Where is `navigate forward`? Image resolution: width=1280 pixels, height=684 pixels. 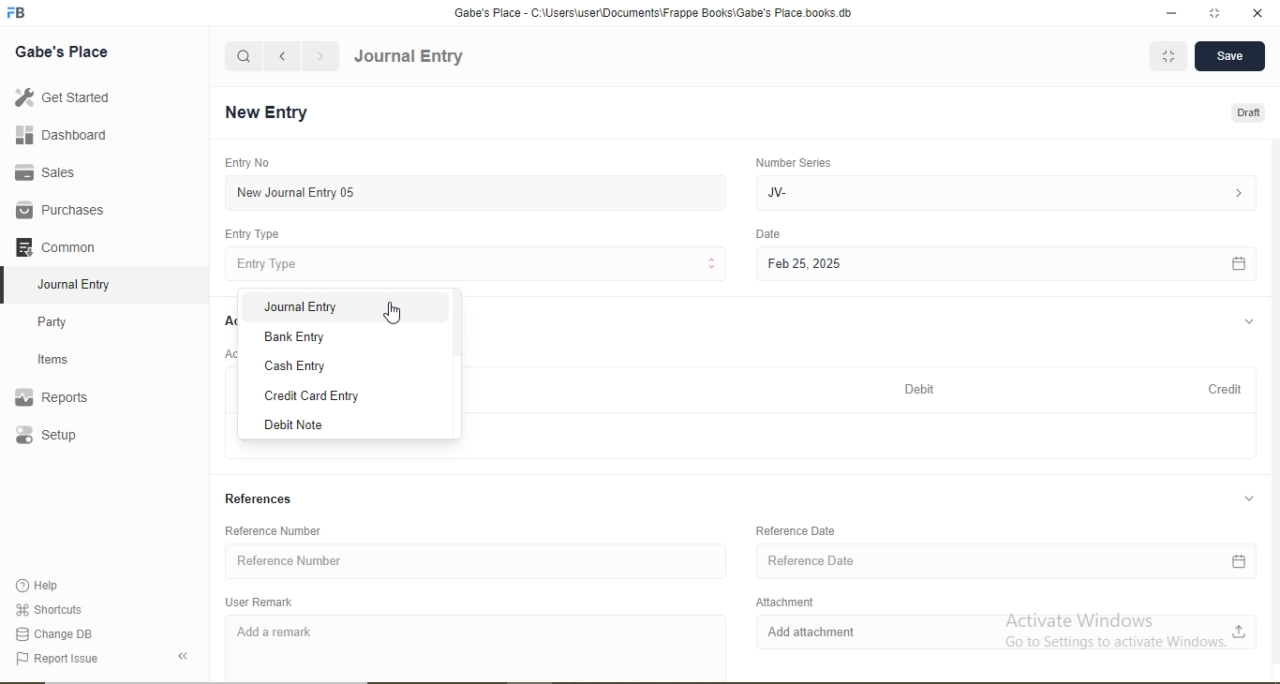 navigate forward is located at coordinates (322, 56).